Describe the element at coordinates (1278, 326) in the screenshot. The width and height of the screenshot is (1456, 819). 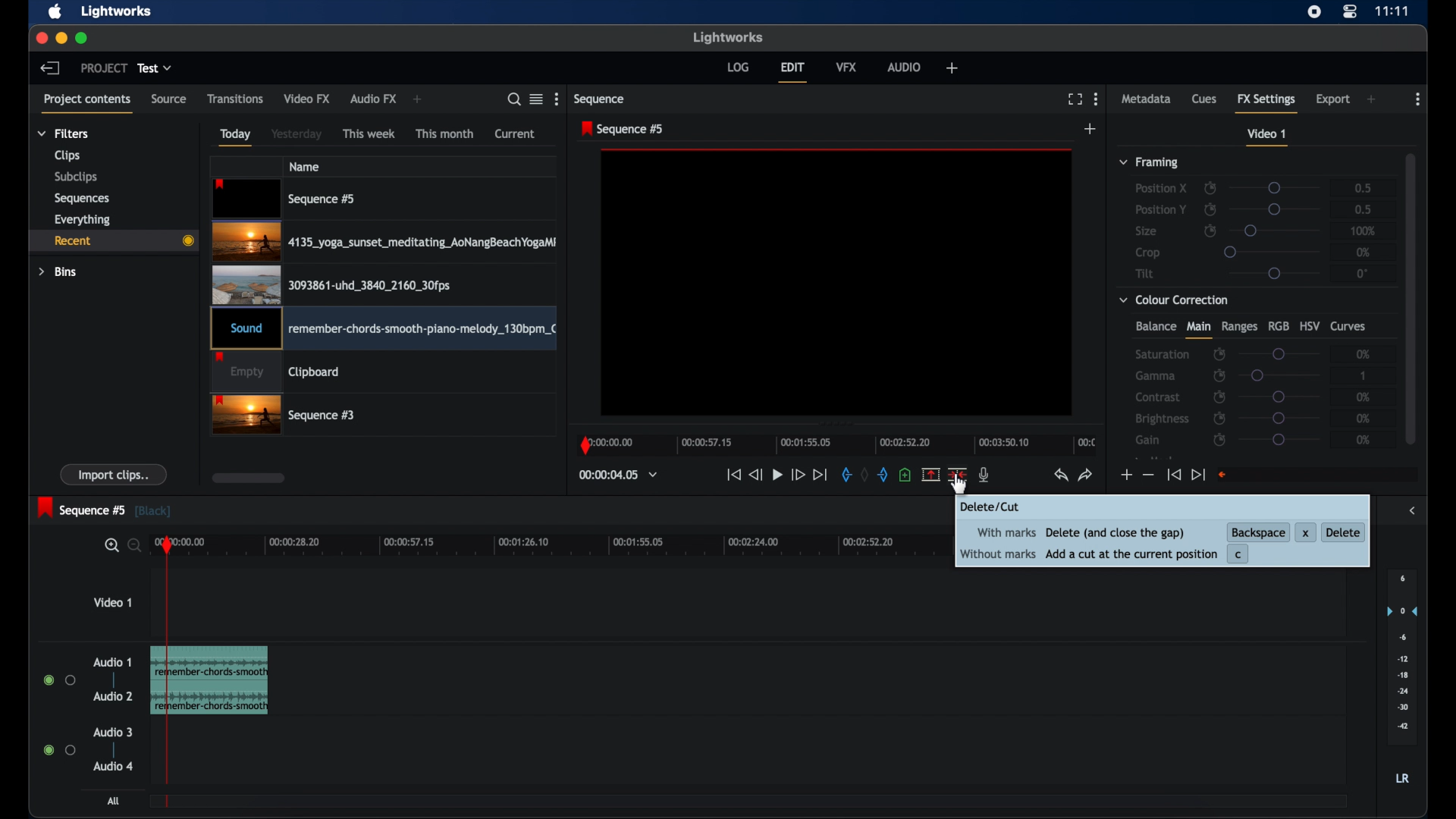
I see `rgb` at that location.